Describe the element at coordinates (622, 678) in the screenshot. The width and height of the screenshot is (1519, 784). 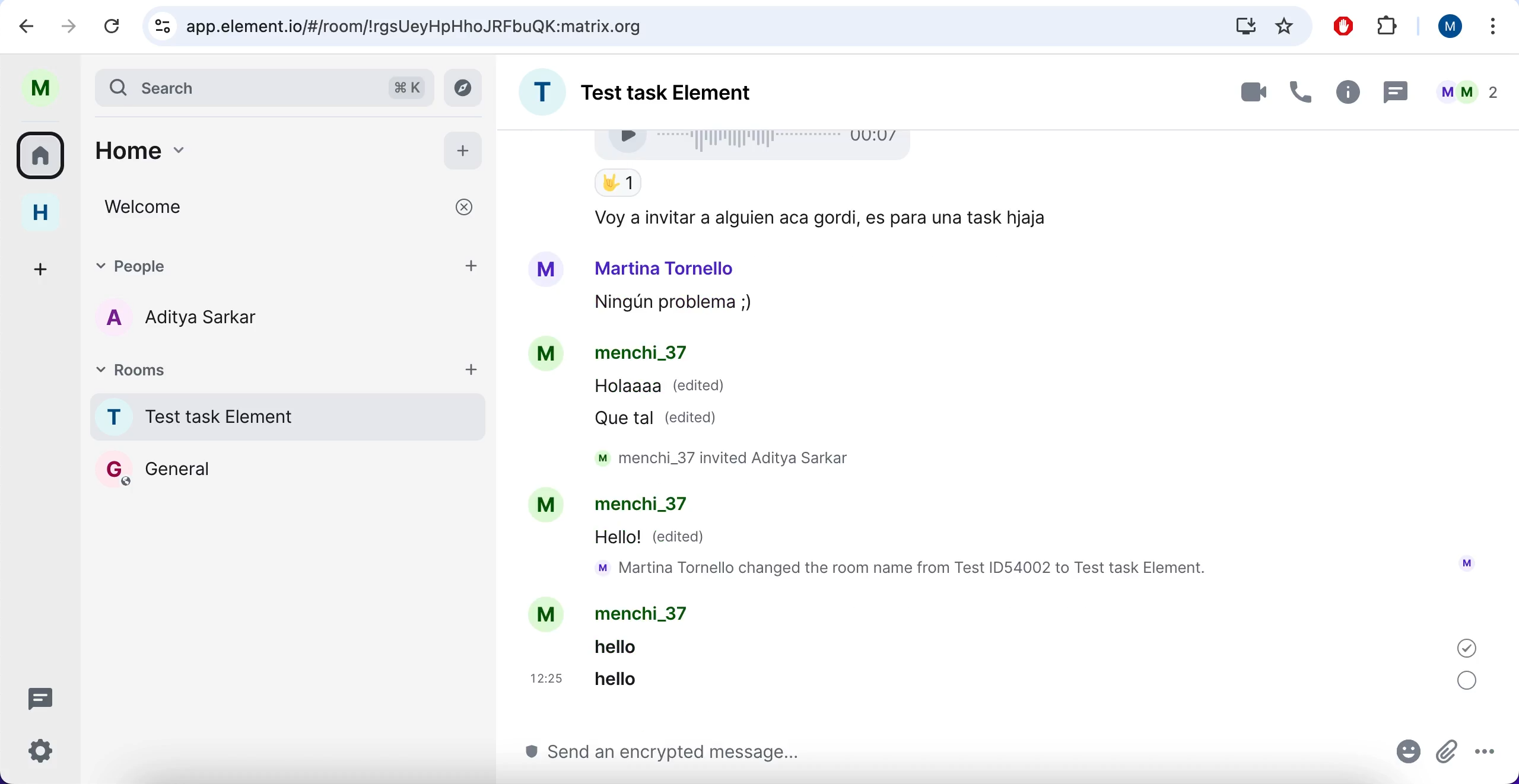
I see `hello` at that location.